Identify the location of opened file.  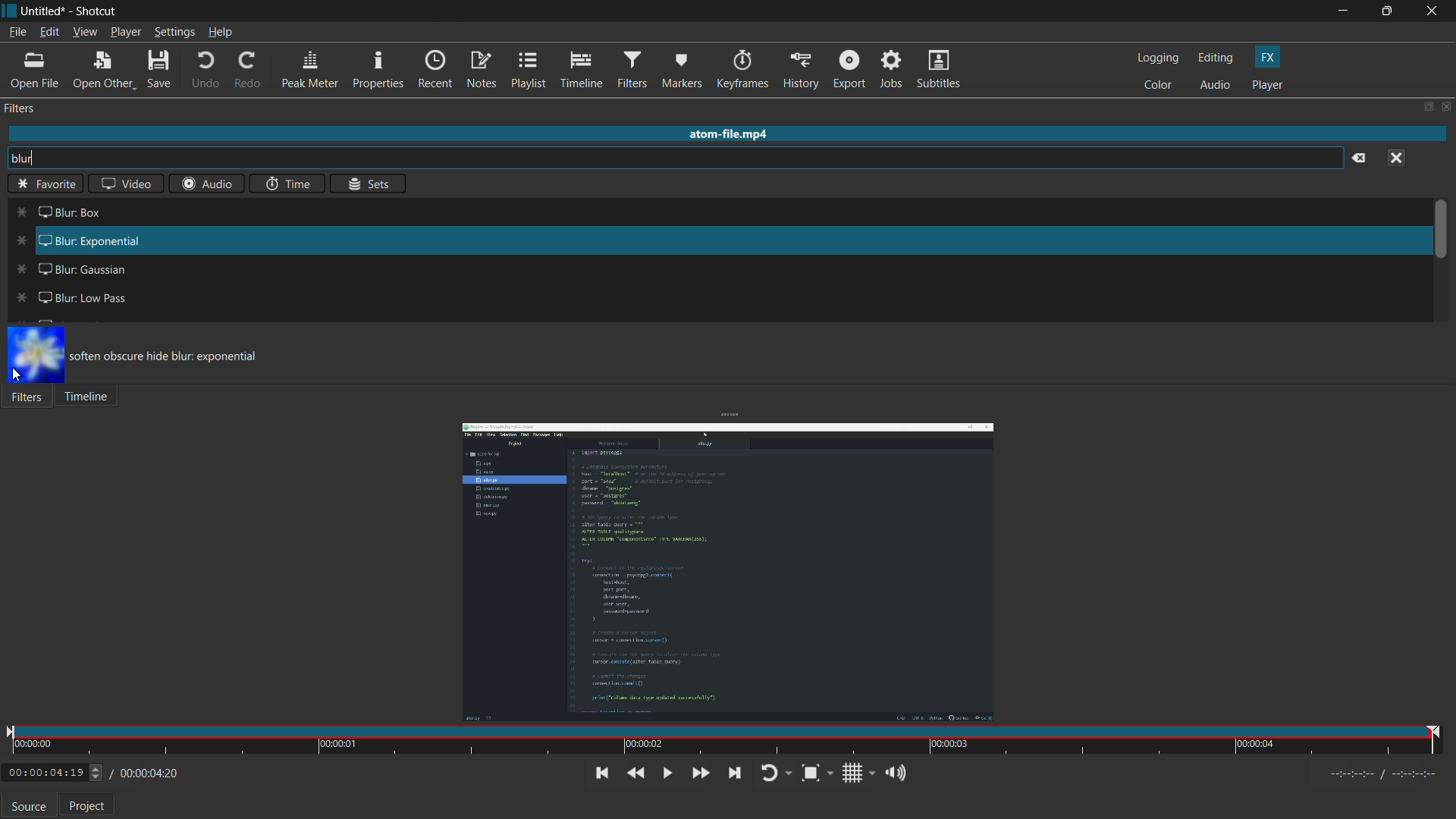
(726, 572).